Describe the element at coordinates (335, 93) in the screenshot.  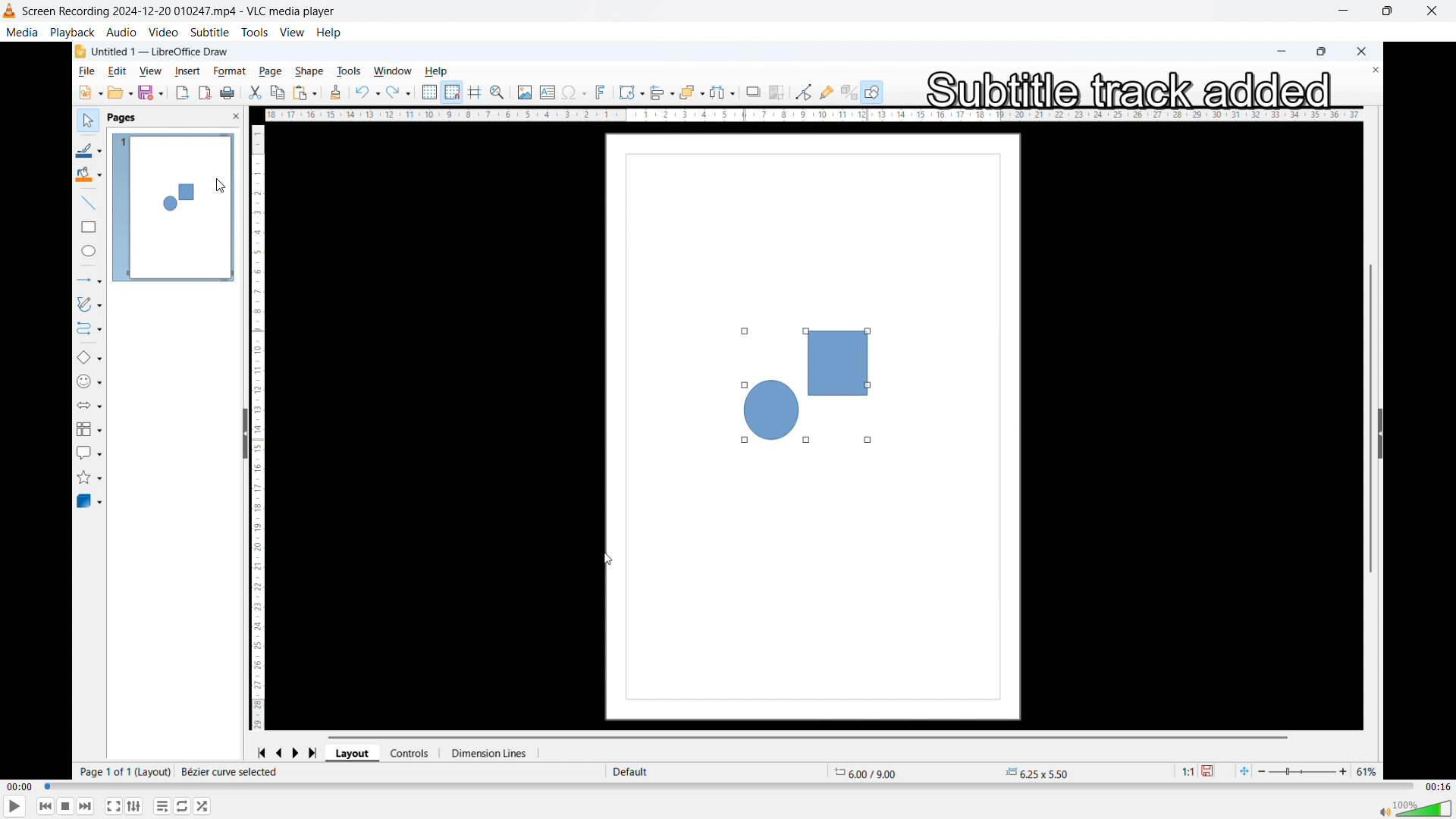
I see `clone formatting` at that location.